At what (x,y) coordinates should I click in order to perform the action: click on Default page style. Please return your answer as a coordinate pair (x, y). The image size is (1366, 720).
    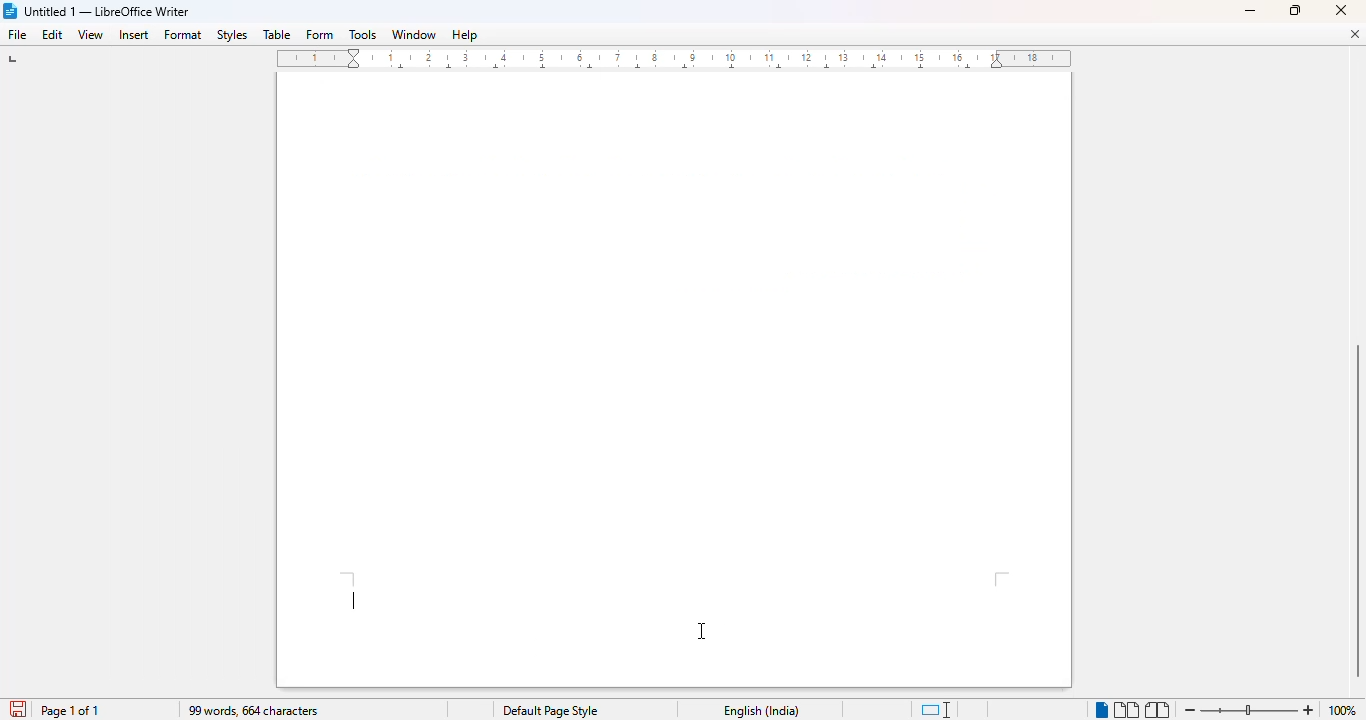
    Looking at the image, I should click on (550, 711).